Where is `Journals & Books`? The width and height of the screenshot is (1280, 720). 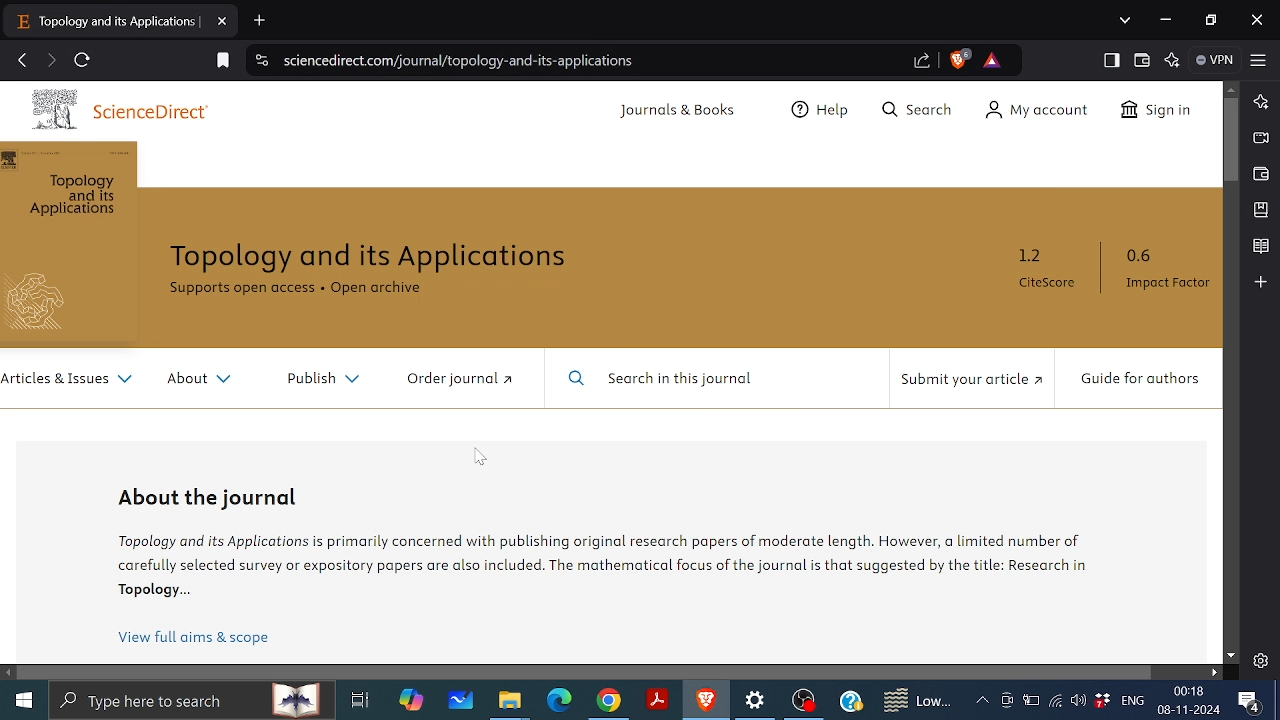
Journals & Books is located at coordinates (681, 112).